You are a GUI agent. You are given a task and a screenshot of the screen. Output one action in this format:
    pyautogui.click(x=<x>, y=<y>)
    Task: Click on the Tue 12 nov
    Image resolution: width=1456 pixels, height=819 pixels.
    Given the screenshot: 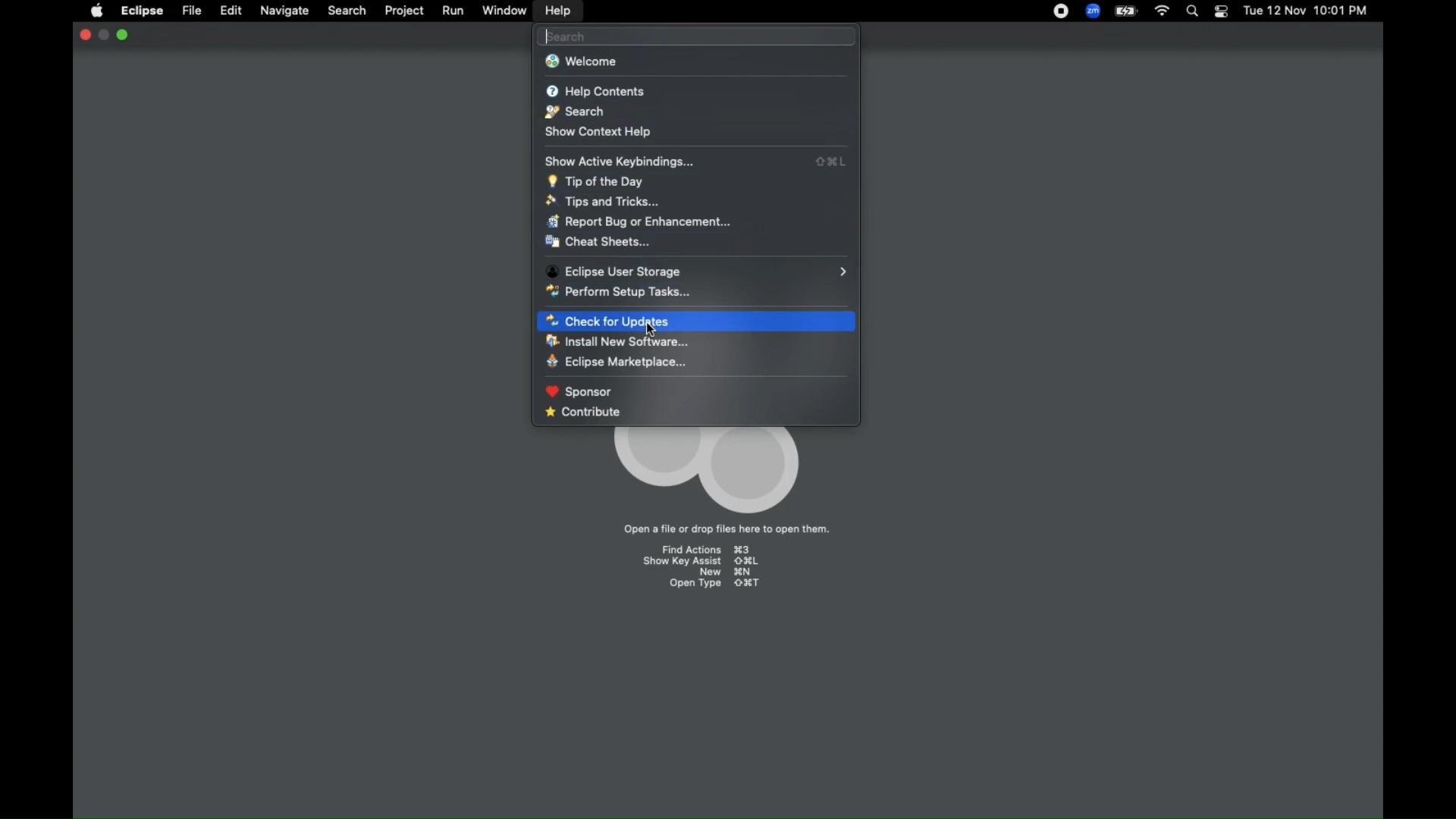 What is the action you would take?
    pyautogui.click(x=1272, y=12)
    